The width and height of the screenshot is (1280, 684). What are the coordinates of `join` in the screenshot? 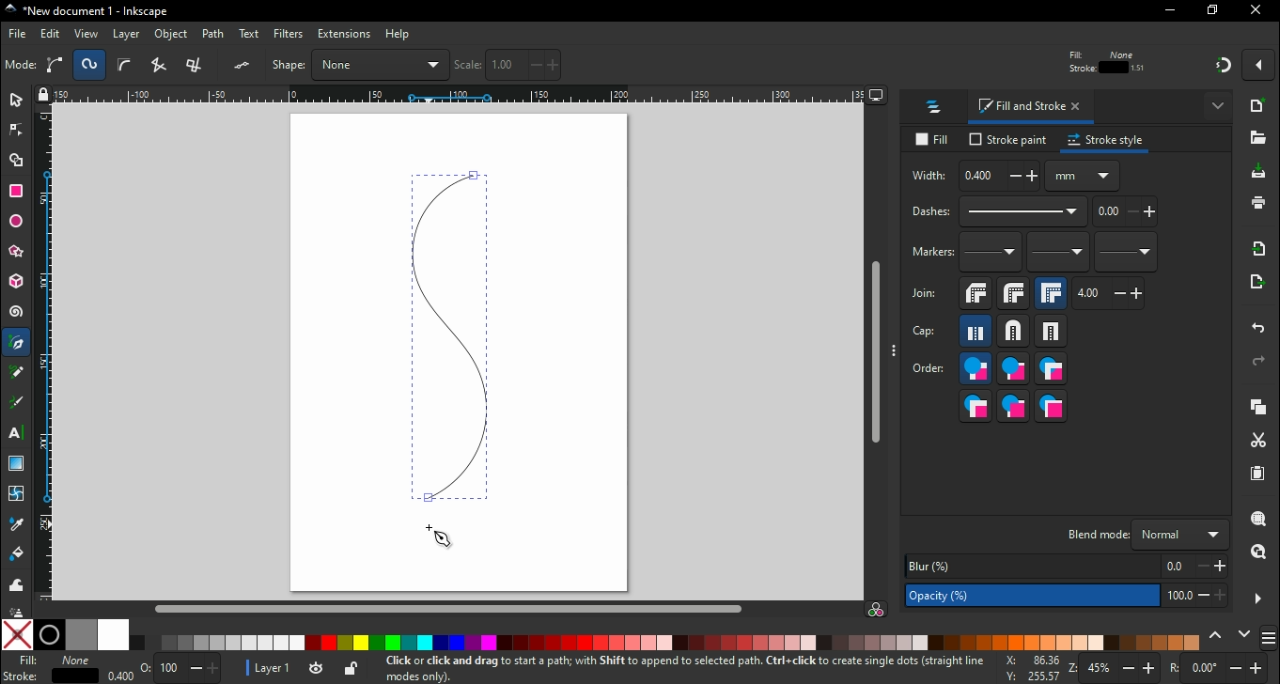 It's located at (925, 298).